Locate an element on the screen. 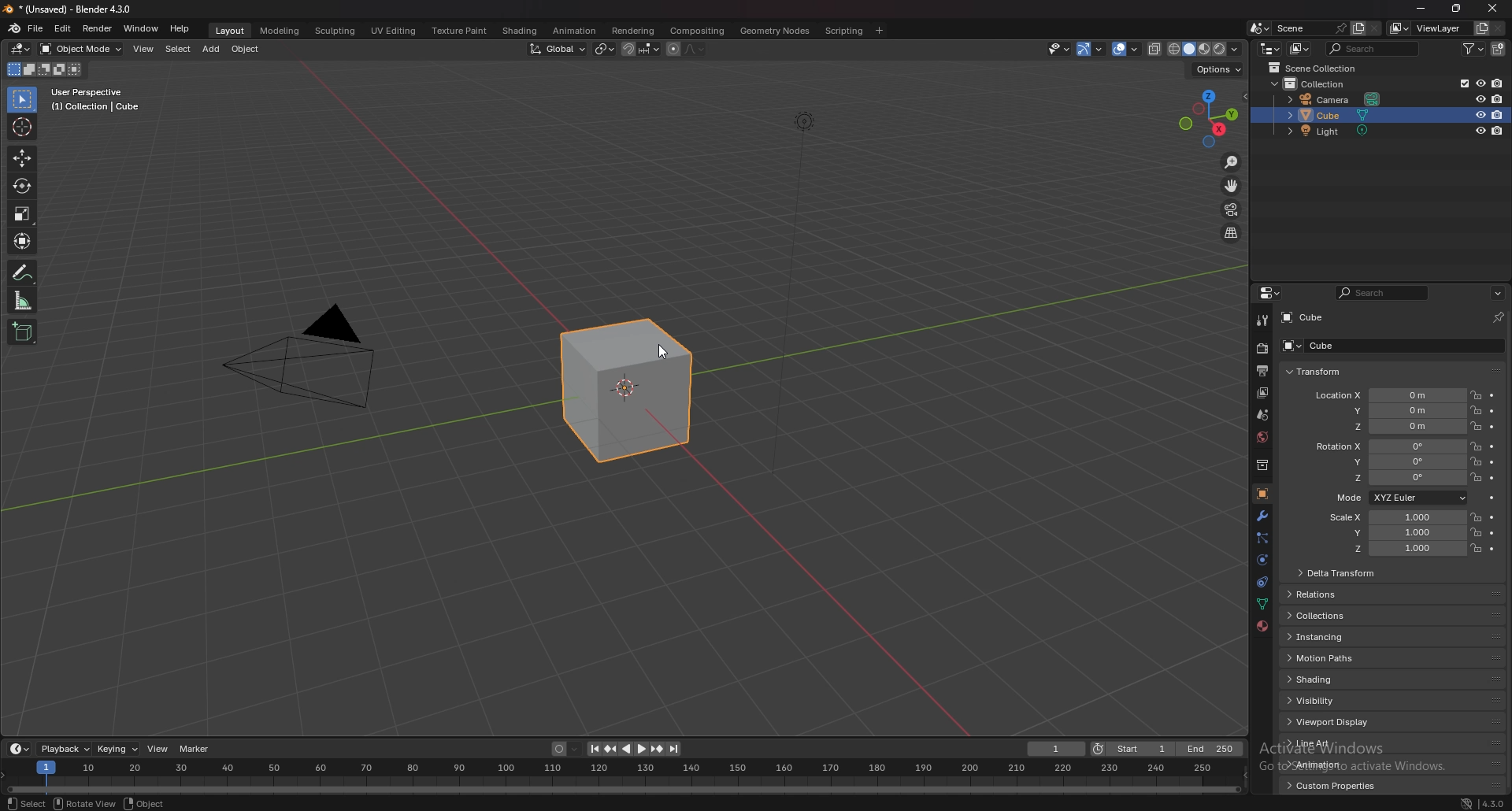 This screenshot has height=811, width=1512. delta transform is located at coordinates (1338, 573).